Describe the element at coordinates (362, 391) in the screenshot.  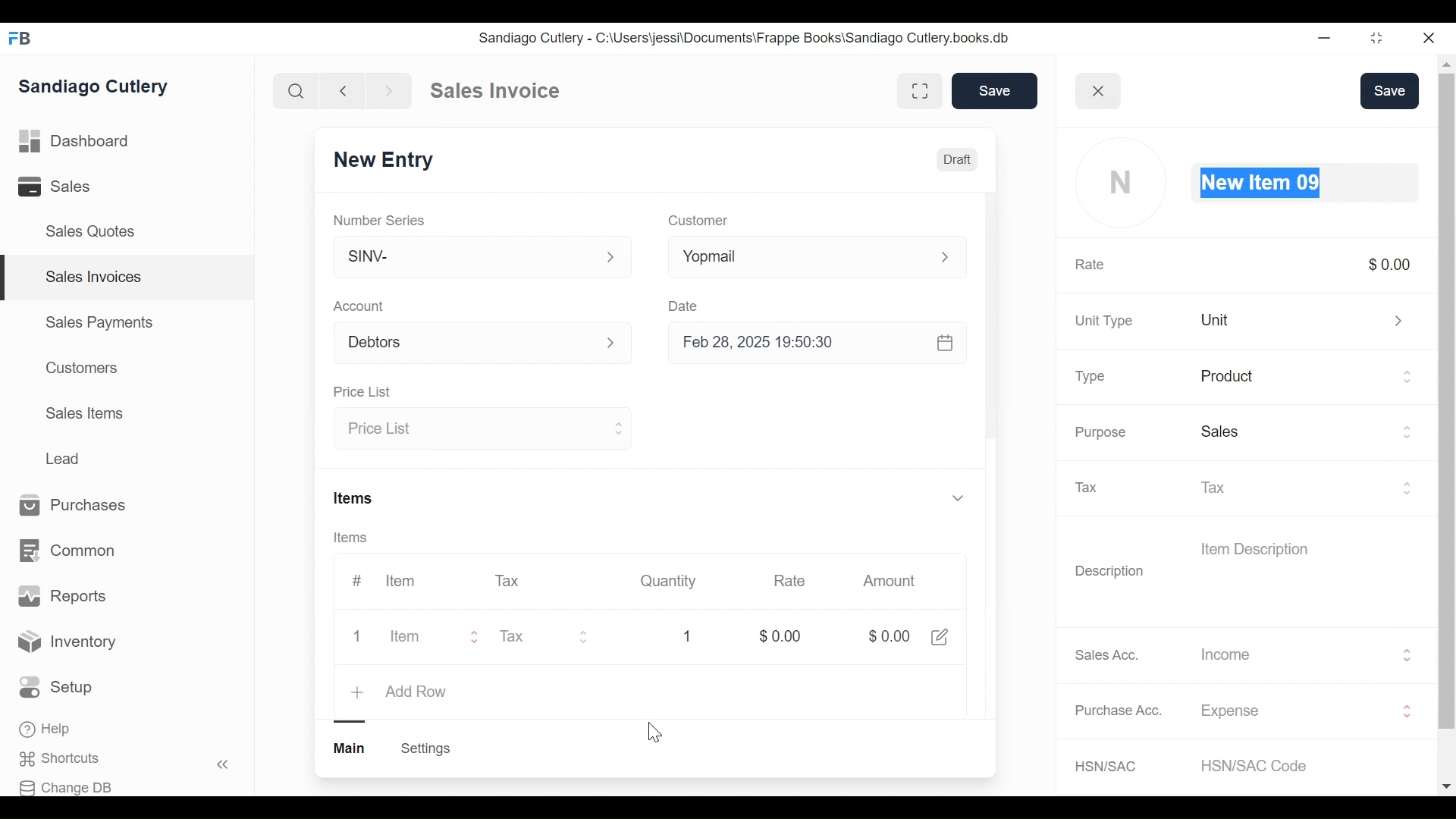
I see `Price List` at that location.